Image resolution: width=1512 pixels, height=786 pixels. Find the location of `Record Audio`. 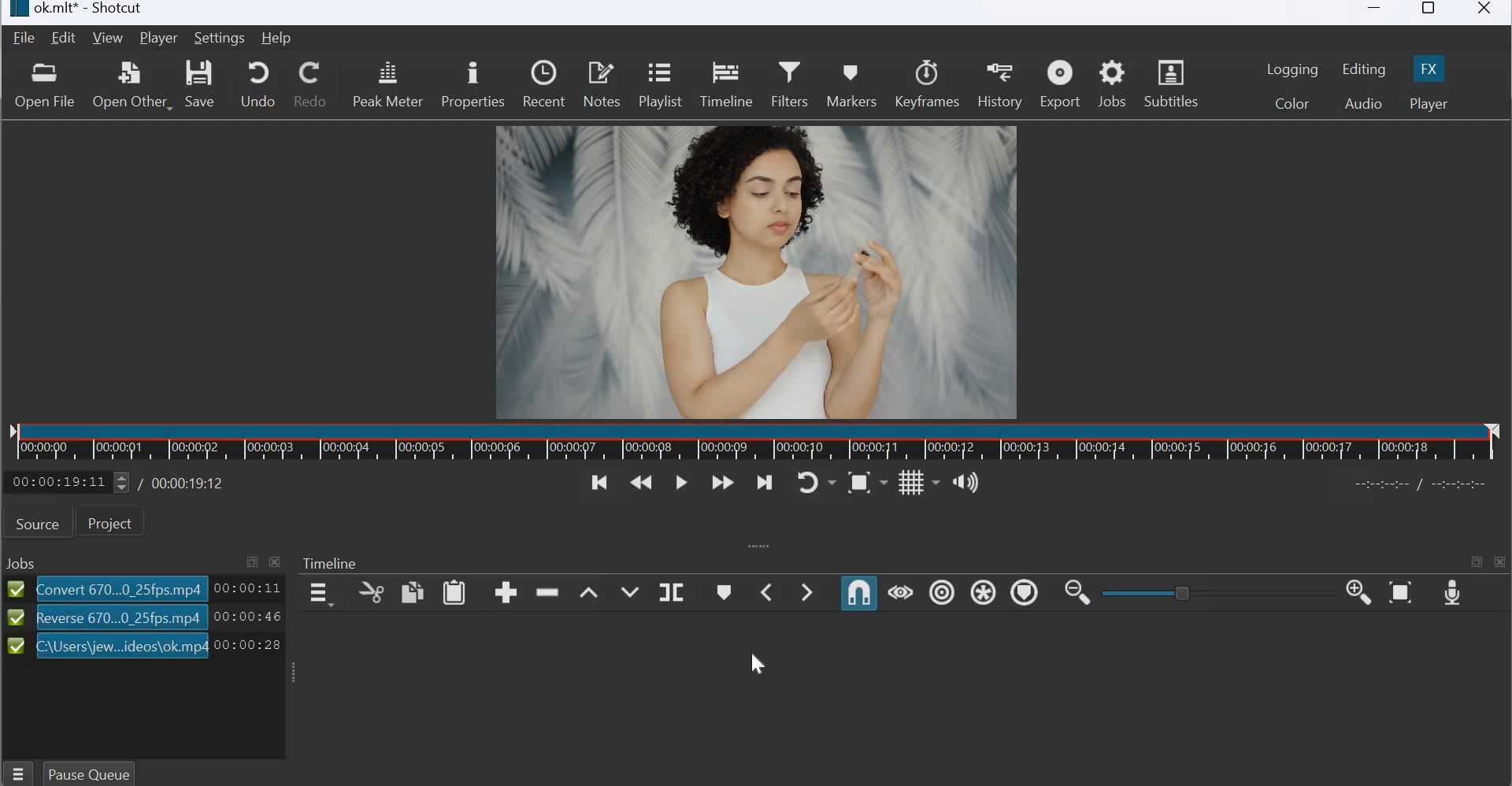

Record Audio is located at coordinates (1451, 592).